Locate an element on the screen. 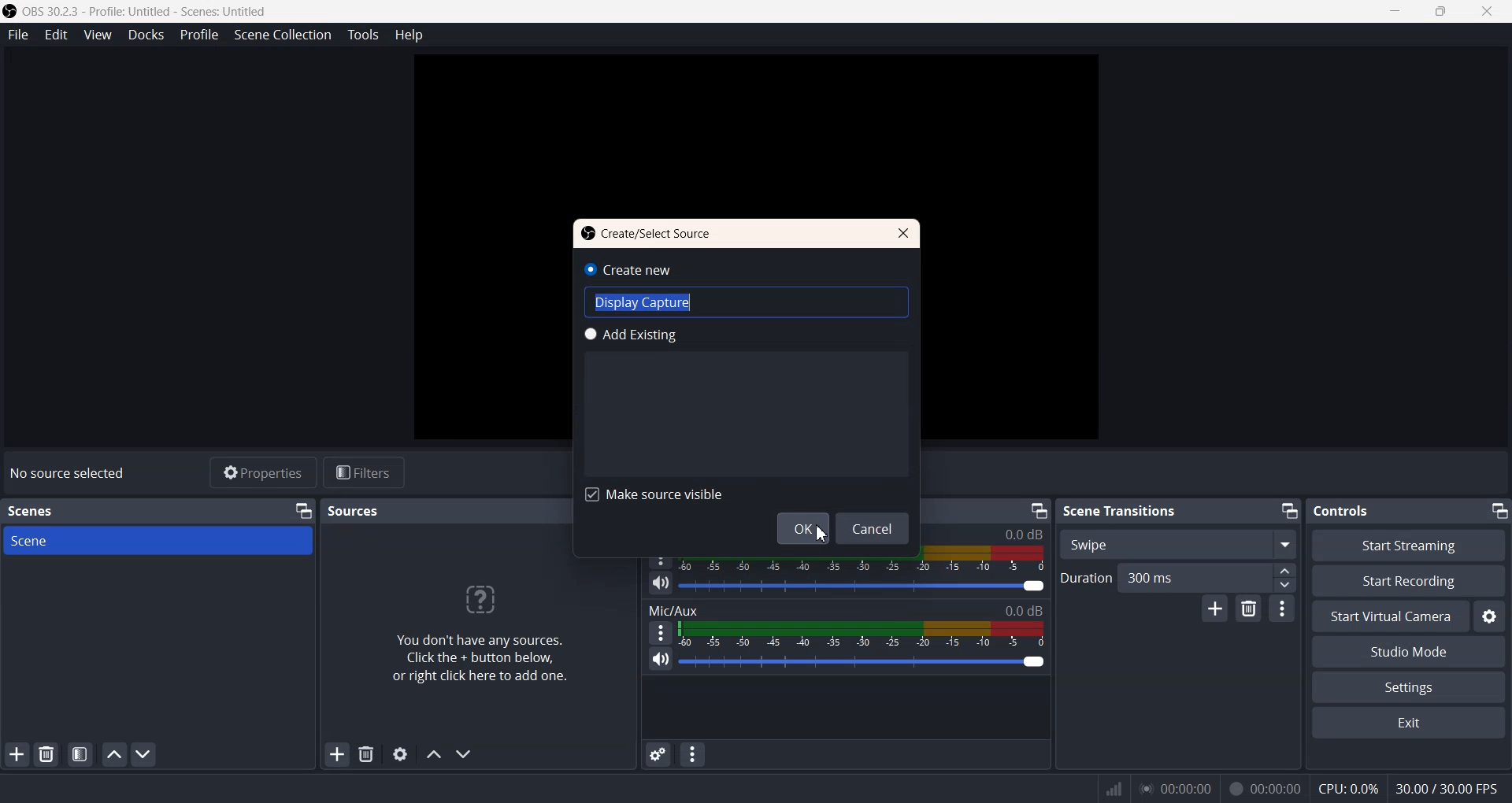  Controls is located at coordinates (1348, 510).